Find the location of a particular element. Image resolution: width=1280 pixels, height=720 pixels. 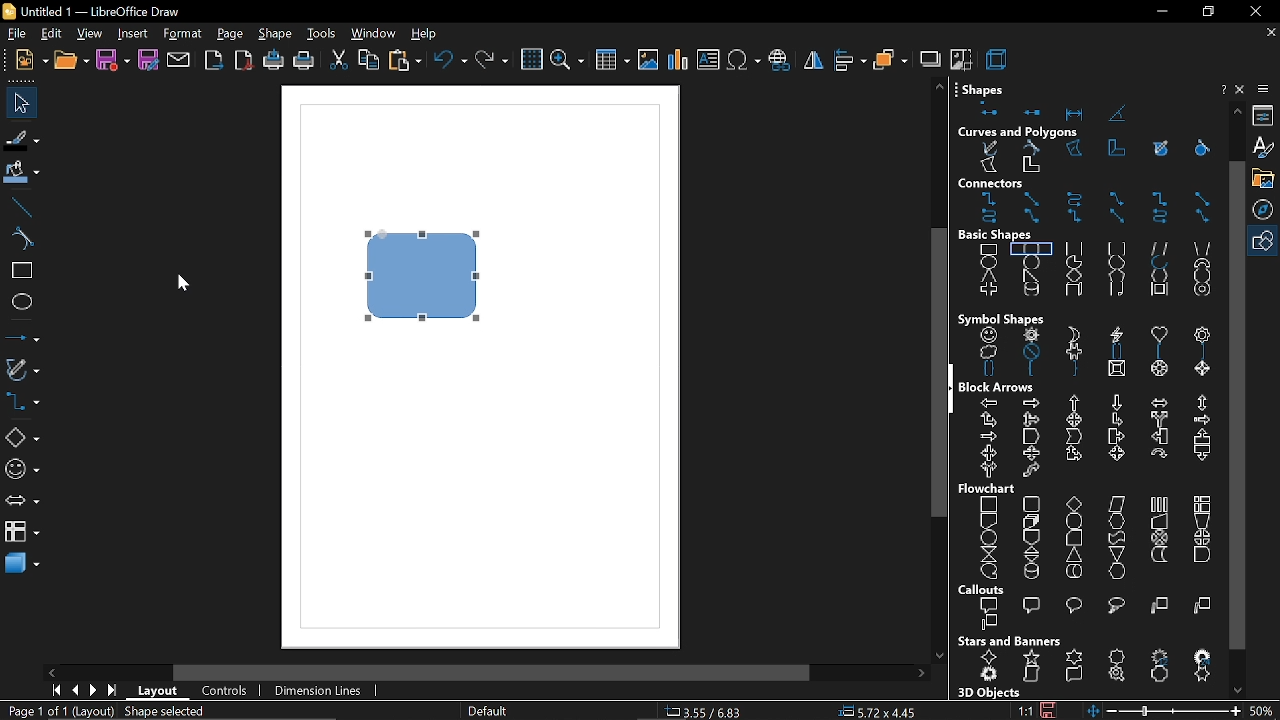

change zoom is located at coordinates (1162, 711).